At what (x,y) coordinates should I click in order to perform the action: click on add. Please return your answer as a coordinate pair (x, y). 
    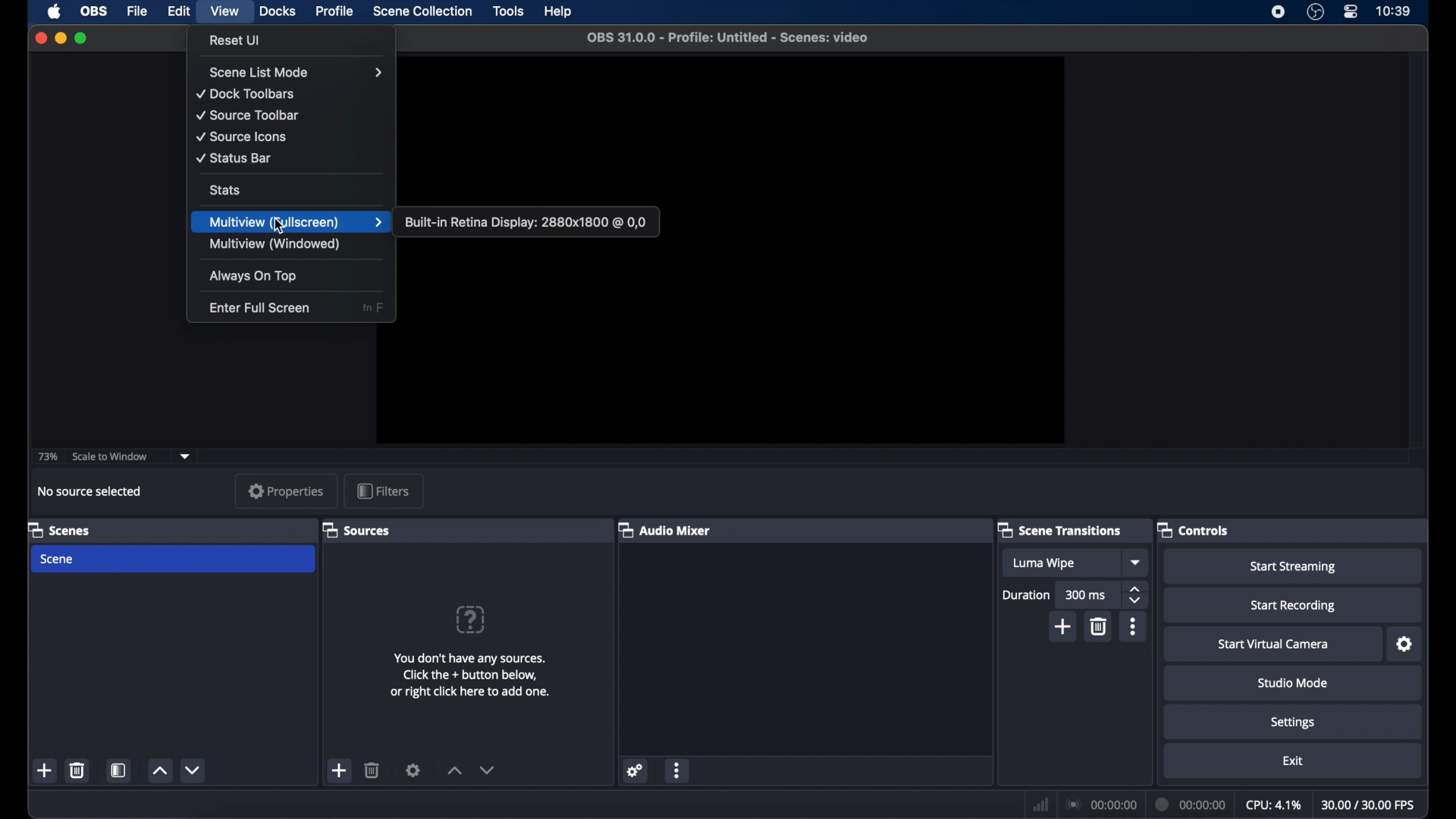
    Looking at the image, I should click on (45, 770).